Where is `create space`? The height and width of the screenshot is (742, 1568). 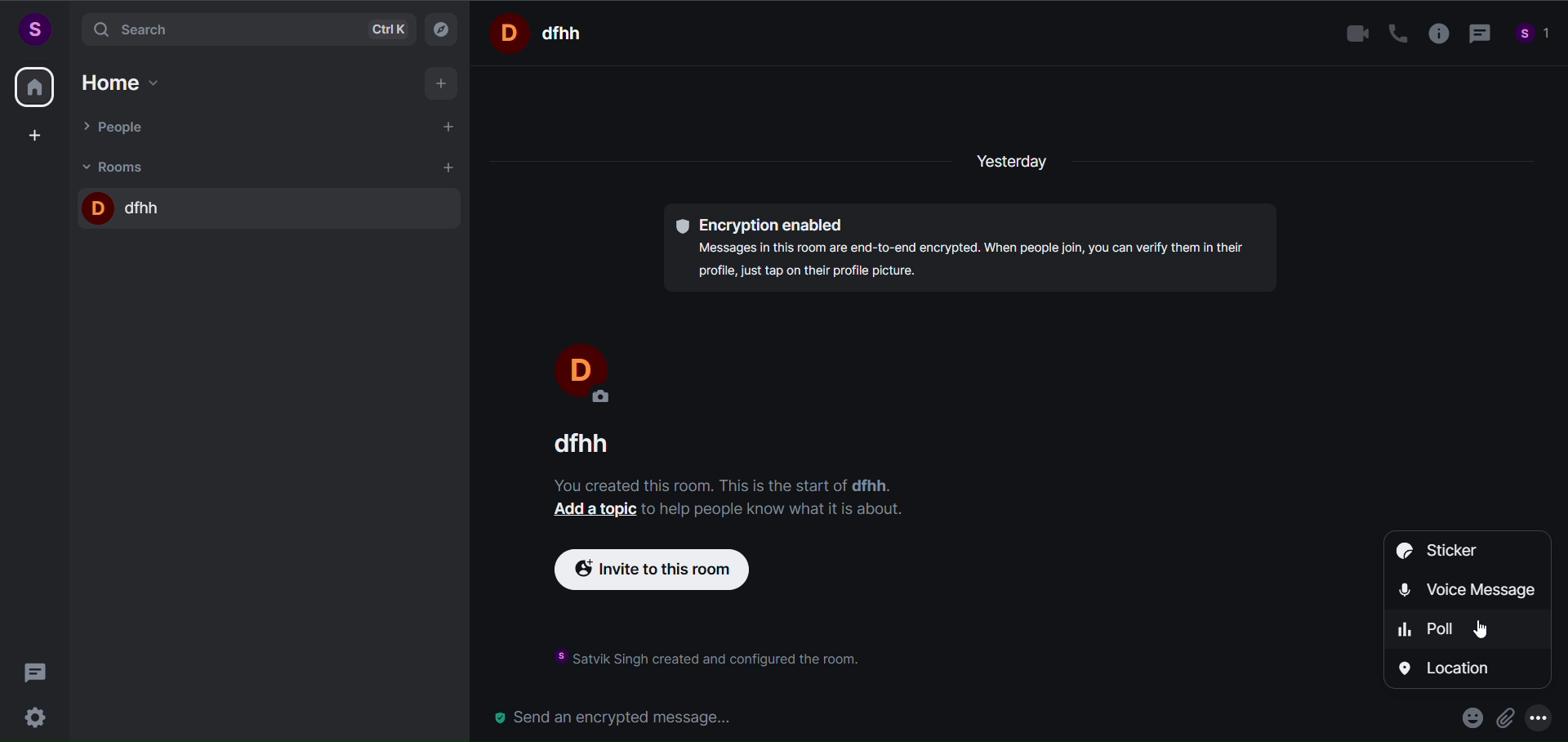 create space is located at coordinates (35, 135).